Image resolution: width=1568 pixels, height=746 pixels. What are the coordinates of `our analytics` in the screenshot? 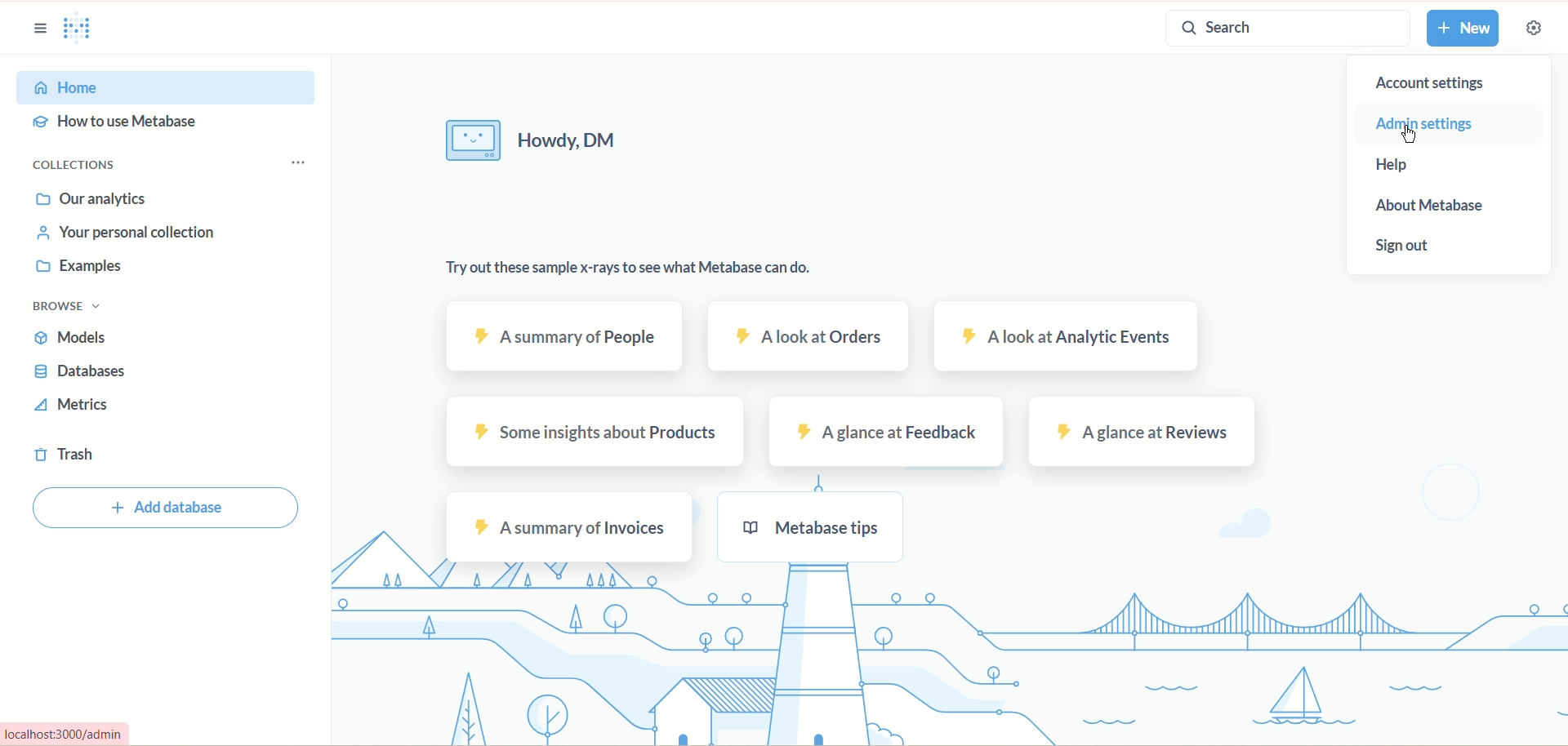 It's located at (92, 200).